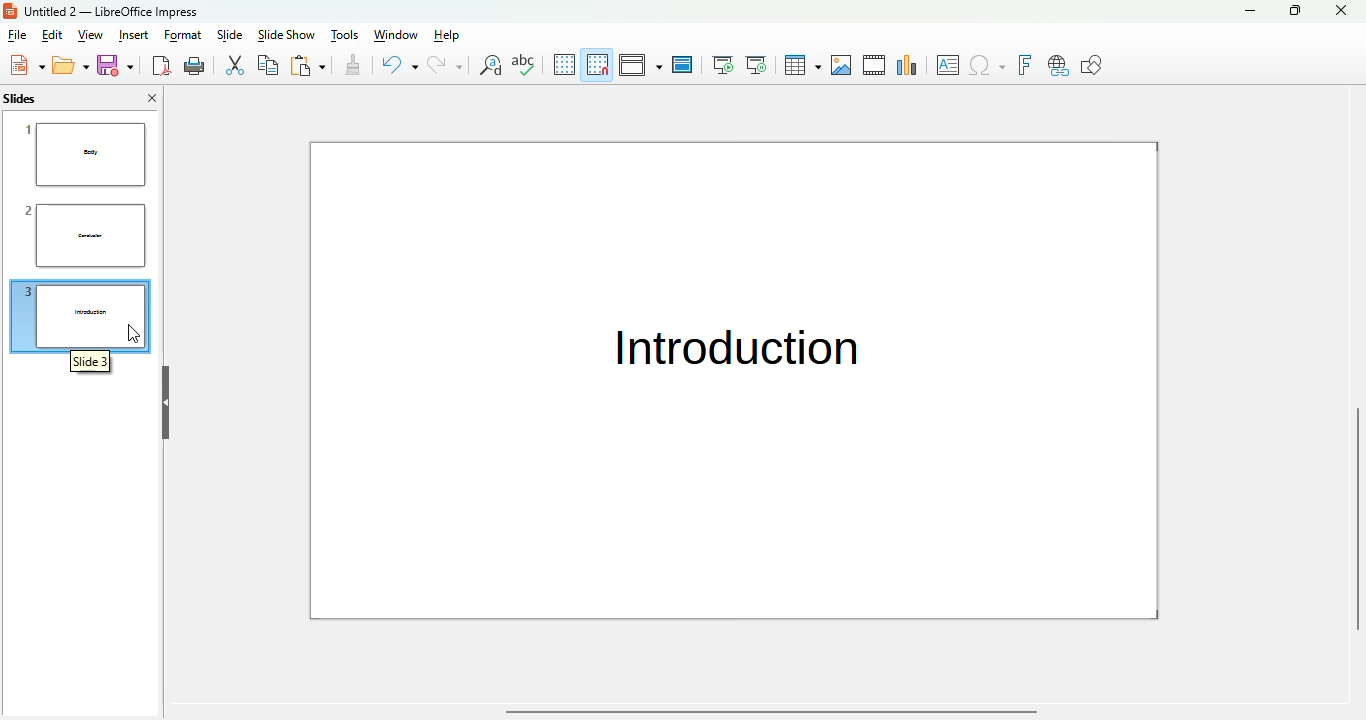 This screenshot has height=720, width=1366. What do you see at coordinates (195, 66) in the screenshot?
I see `print` at bounding box center [195, 66].